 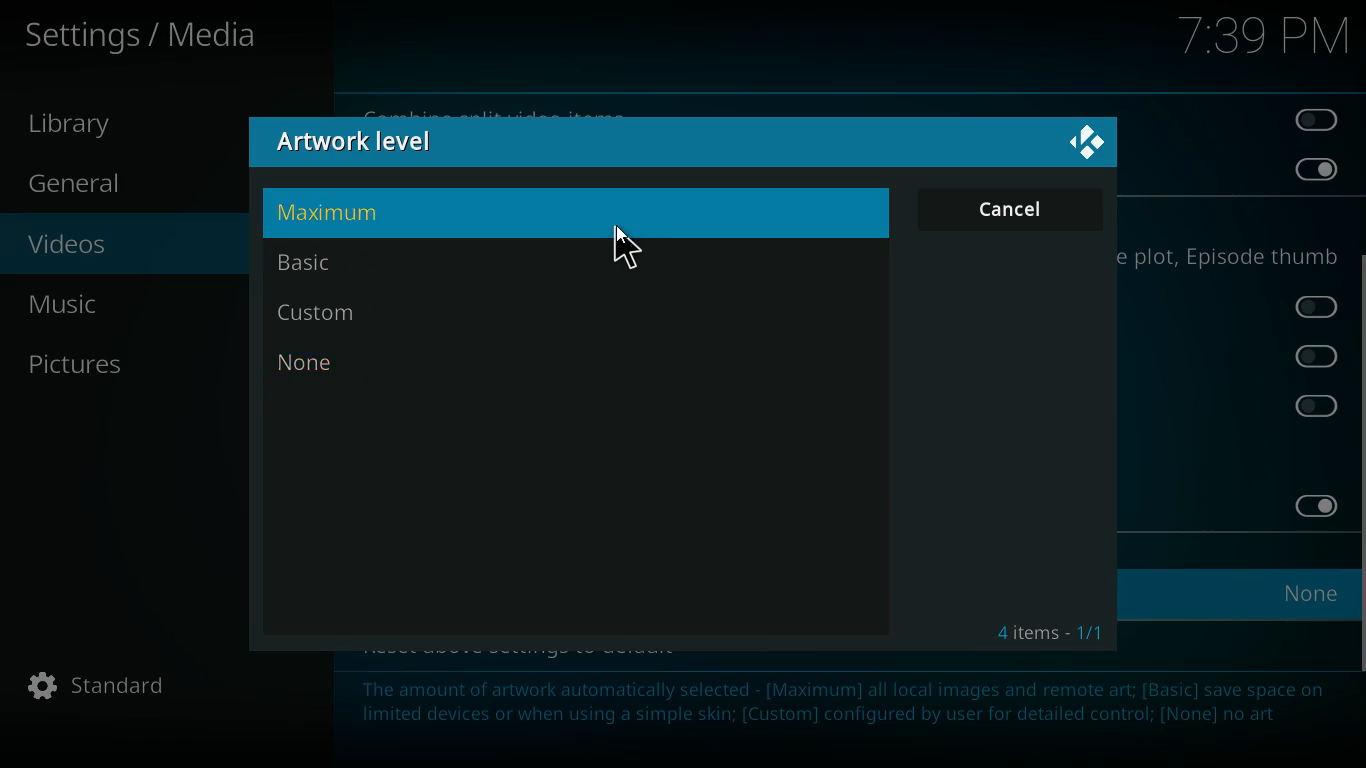 What do you see at coordinates (98, 185) in the screenshot?
I see `General` at bounding box center [98, 185].